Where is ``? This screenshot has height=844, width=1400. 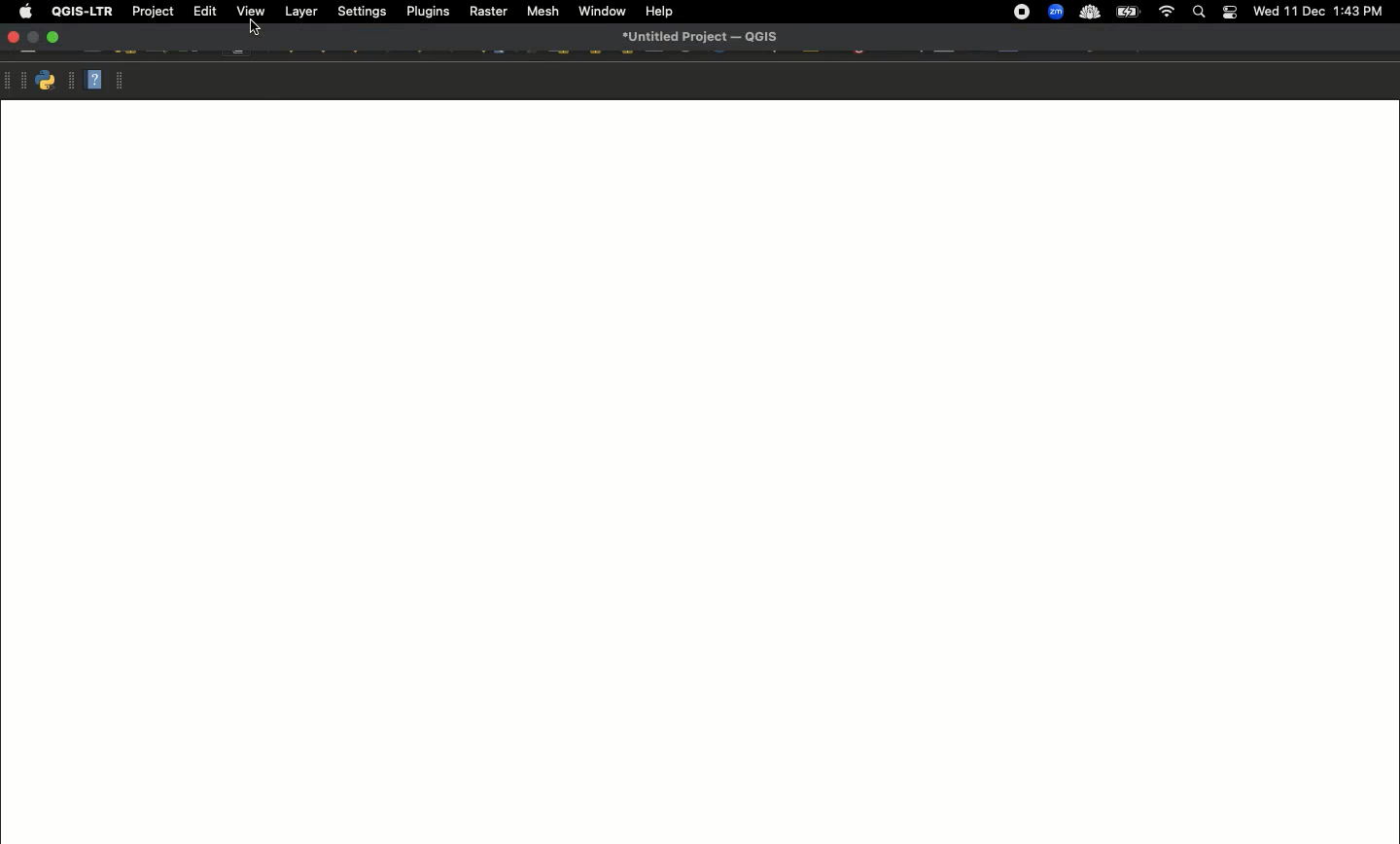
 is located at coordinates (121, 82).